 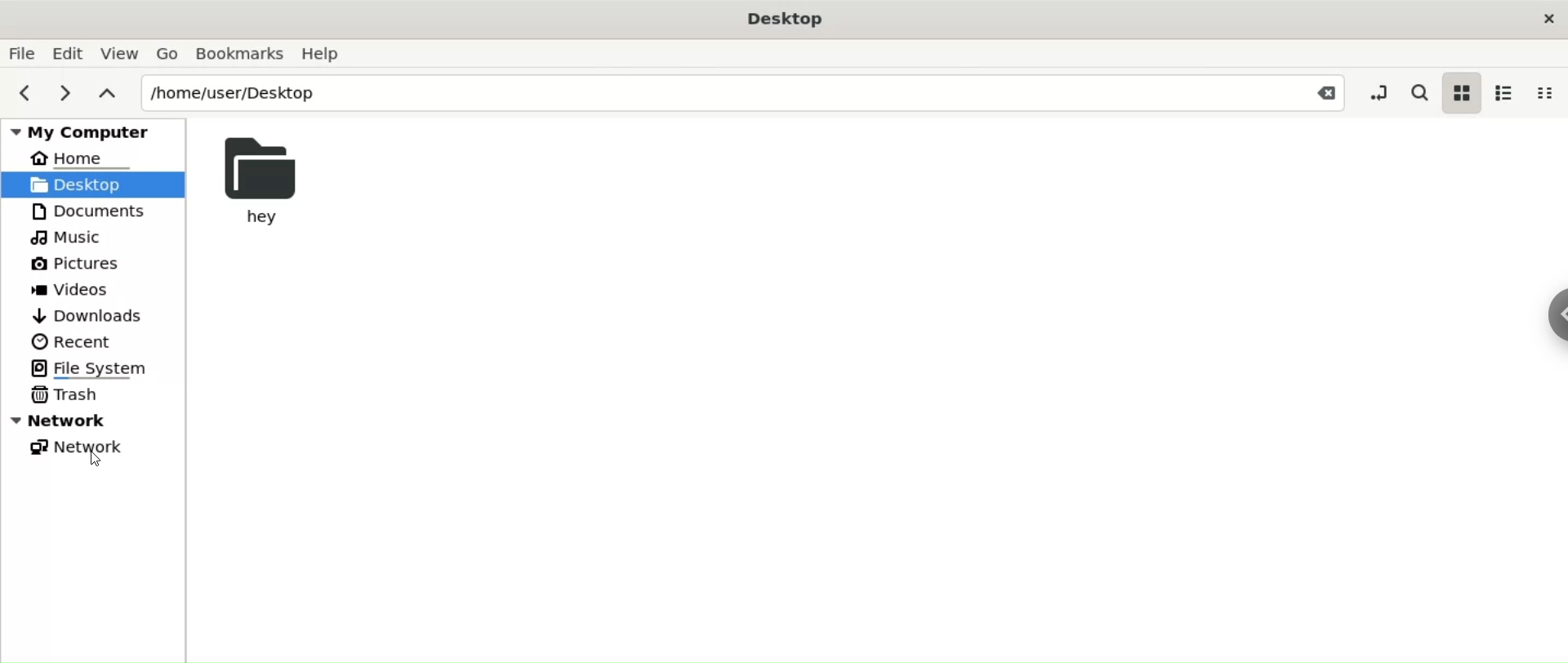 What do you see at coordinates (241, 53) in the screenshot?
I see `Bookamarks` at bounding box center [241, 53].